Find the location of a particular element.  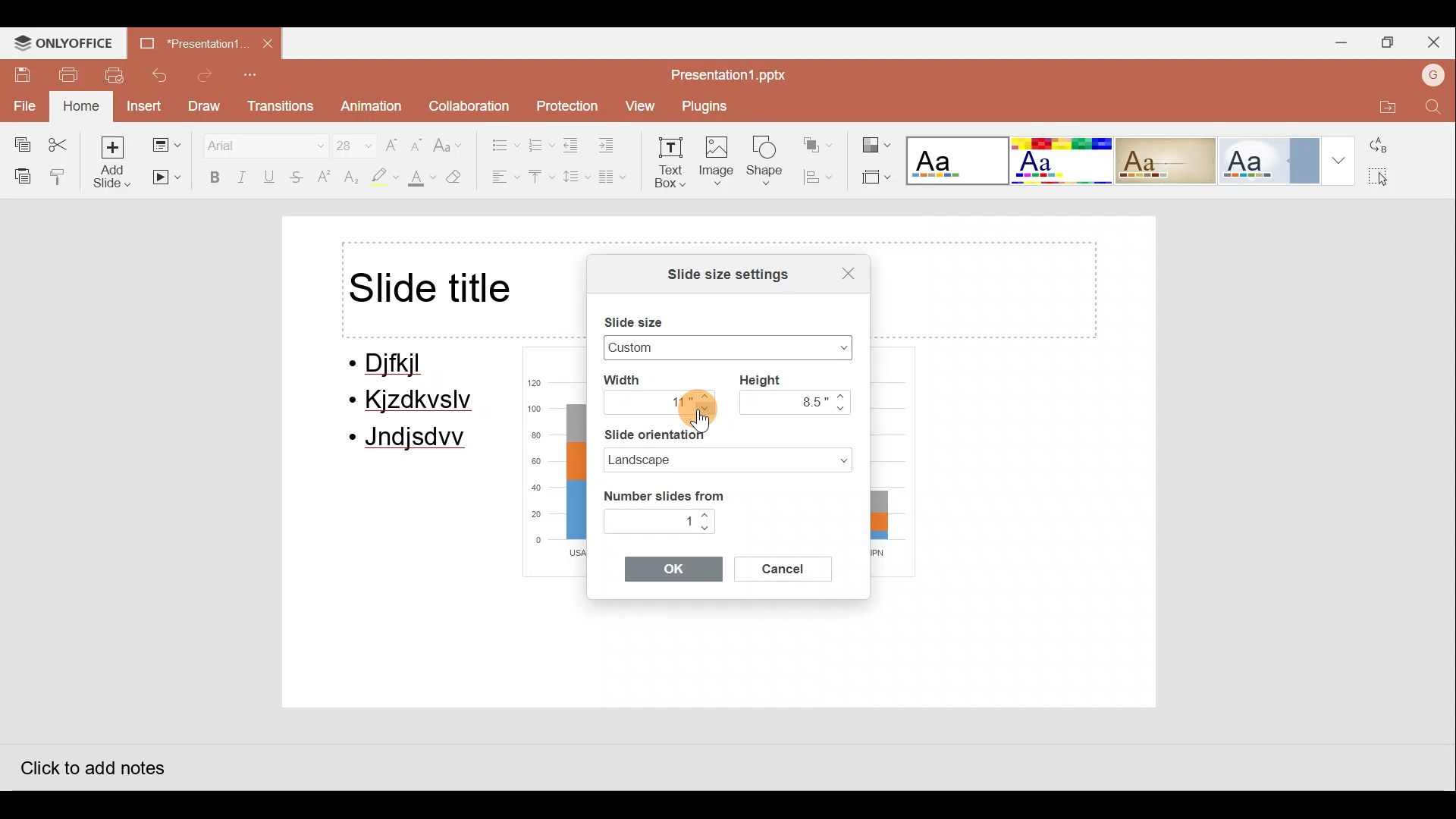

OK is located at coordinates (679, 571).